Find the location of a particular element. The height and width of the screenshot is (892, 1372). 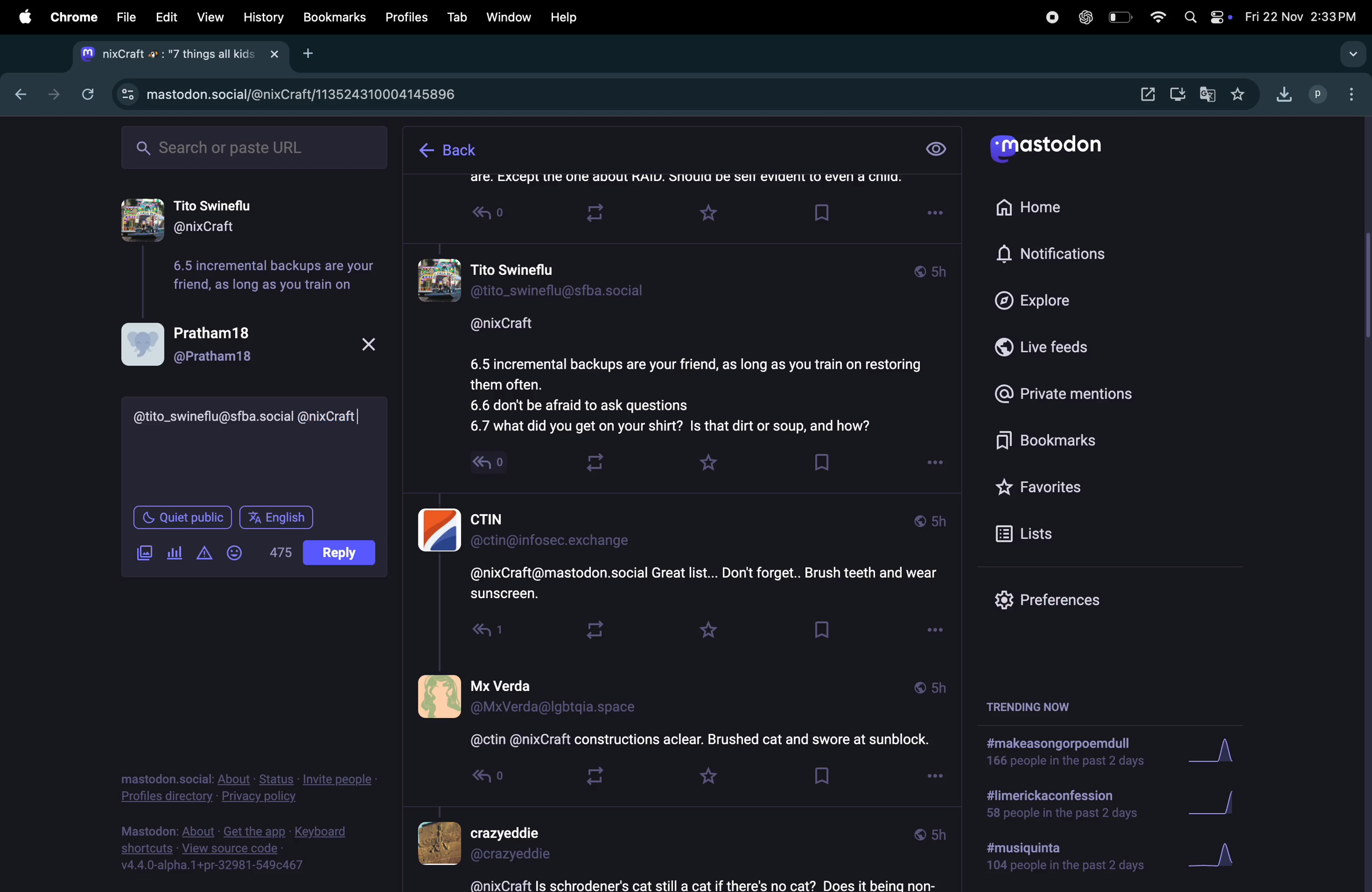

help is located at coordinates (567, 17).